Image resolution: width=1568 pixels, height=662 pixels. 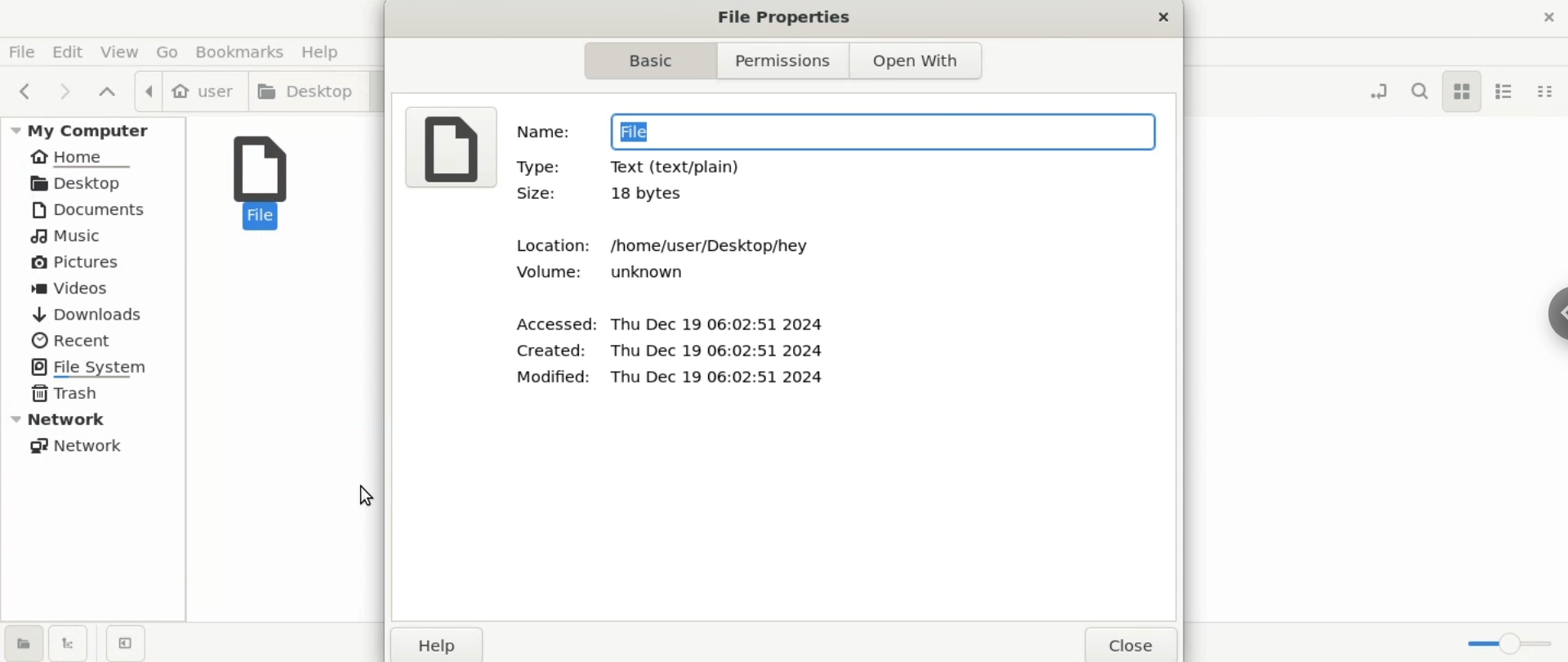 I want to click on name textbox, so click(x=882, y=133).